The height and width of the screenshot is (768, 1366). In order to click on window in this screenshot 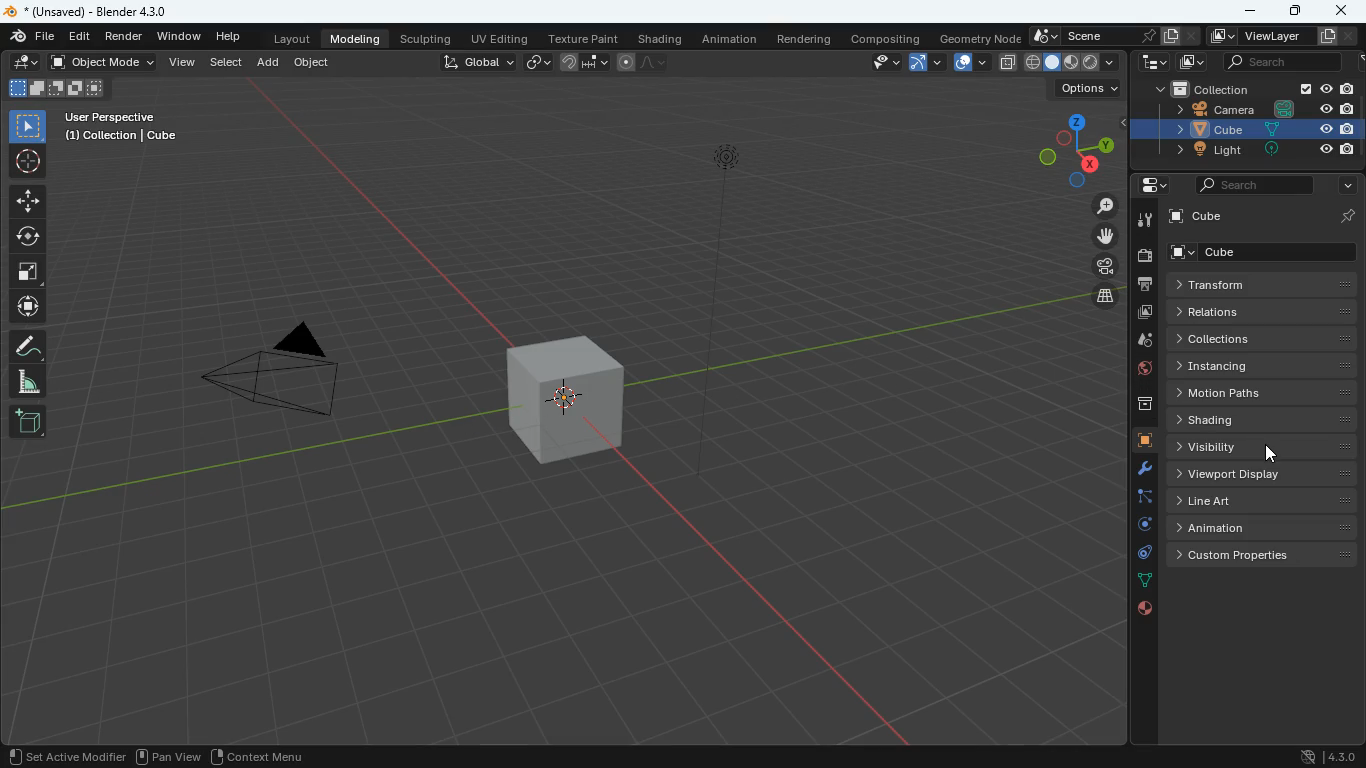, I will do `click(178, 36)`.